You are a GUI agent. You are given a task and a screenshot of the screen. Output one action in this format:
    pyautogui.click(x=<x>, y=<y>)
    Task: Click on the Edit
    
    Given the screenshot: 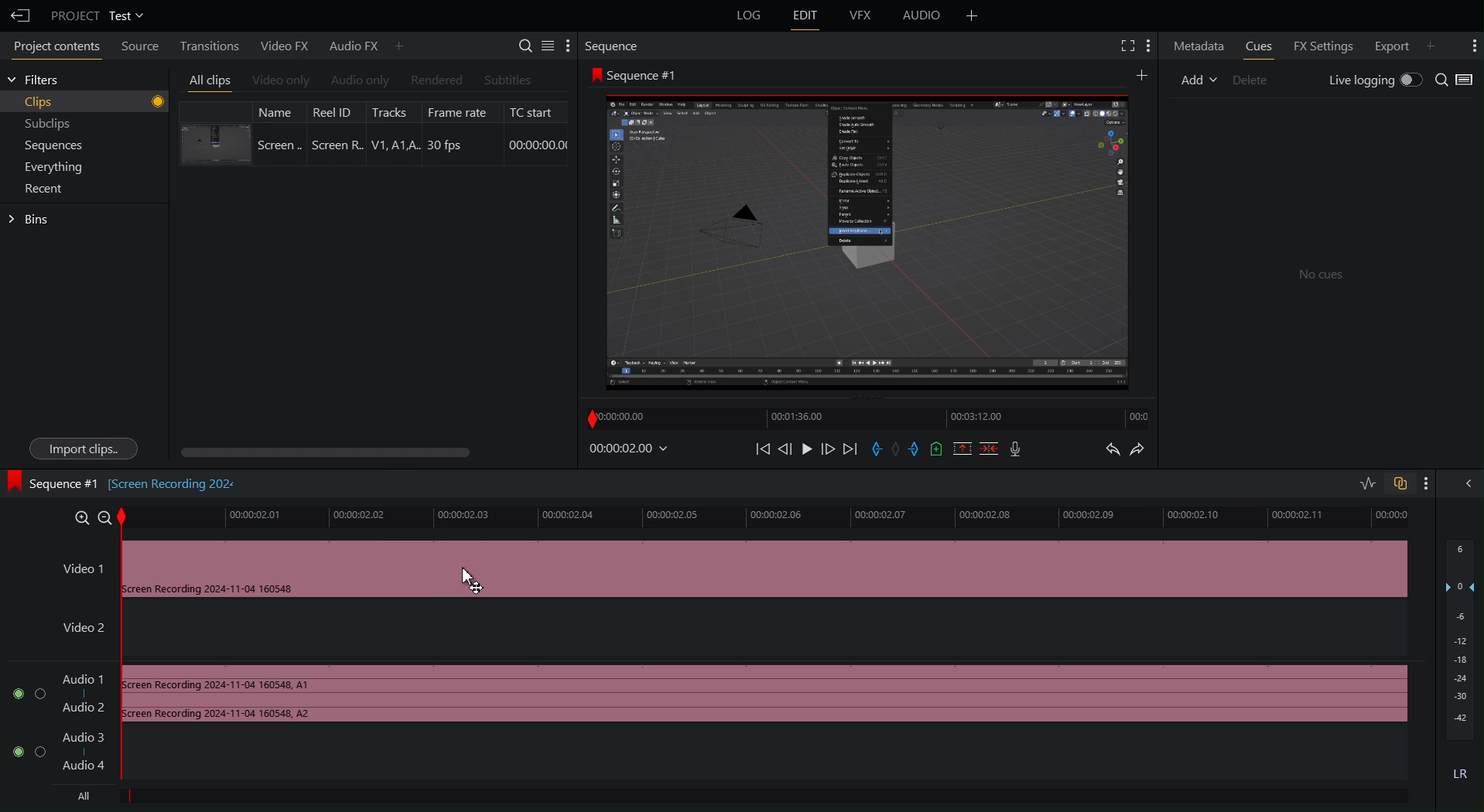 What is the action you would take?
    pyautogui.click(x=805, y=16)
    